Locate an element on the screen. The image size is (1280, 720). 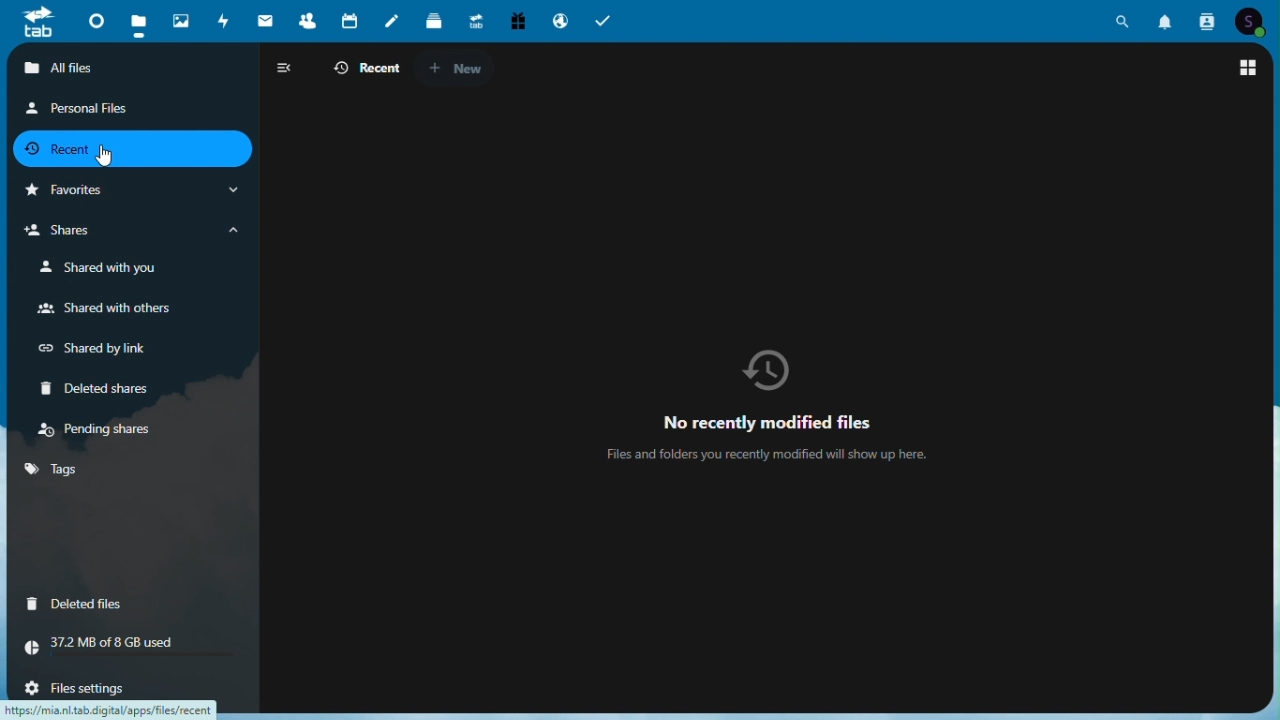
Favourites is located at coordinates (131, 190).